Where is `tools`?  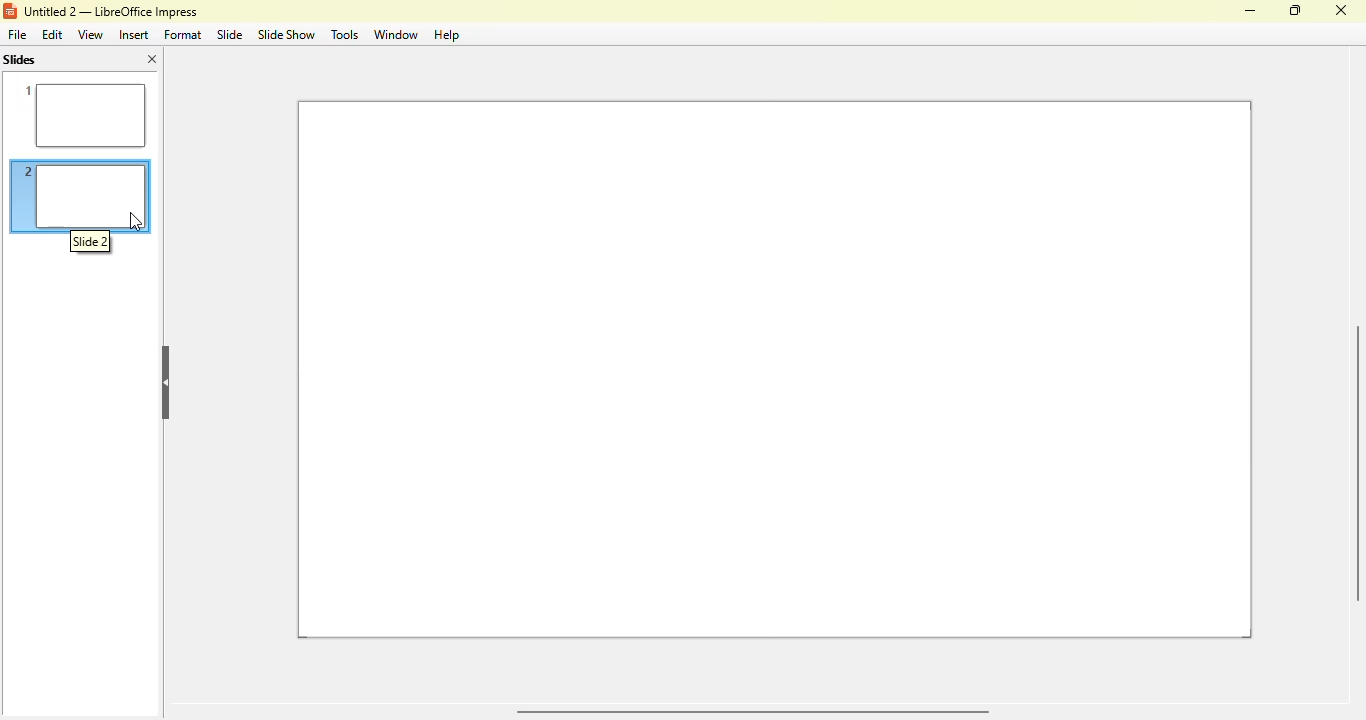 tools is located at coordinates (343, 34).